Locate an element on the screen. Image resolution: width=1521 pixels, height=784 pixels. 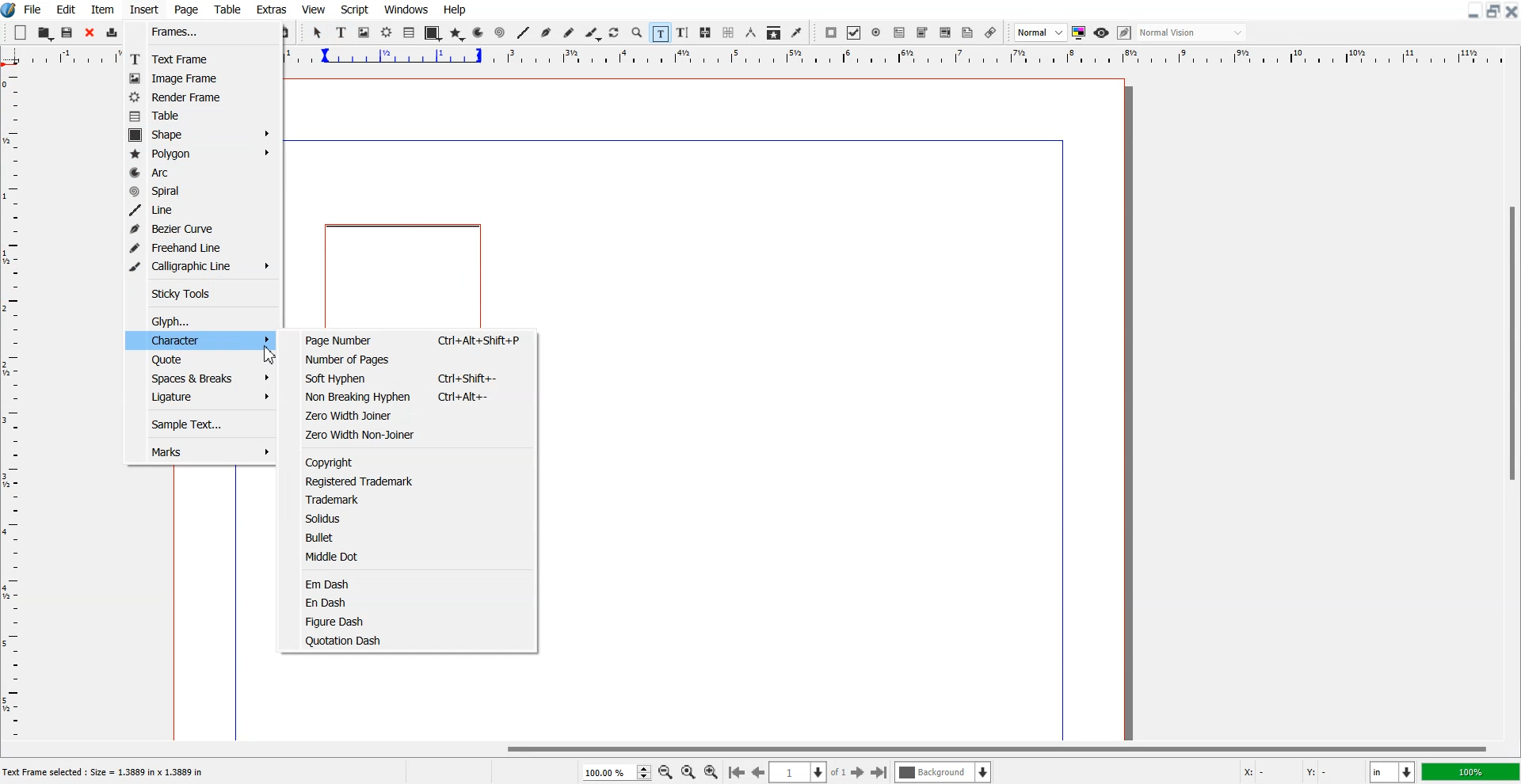
PDF List Box is located at coordinates (945, 33).